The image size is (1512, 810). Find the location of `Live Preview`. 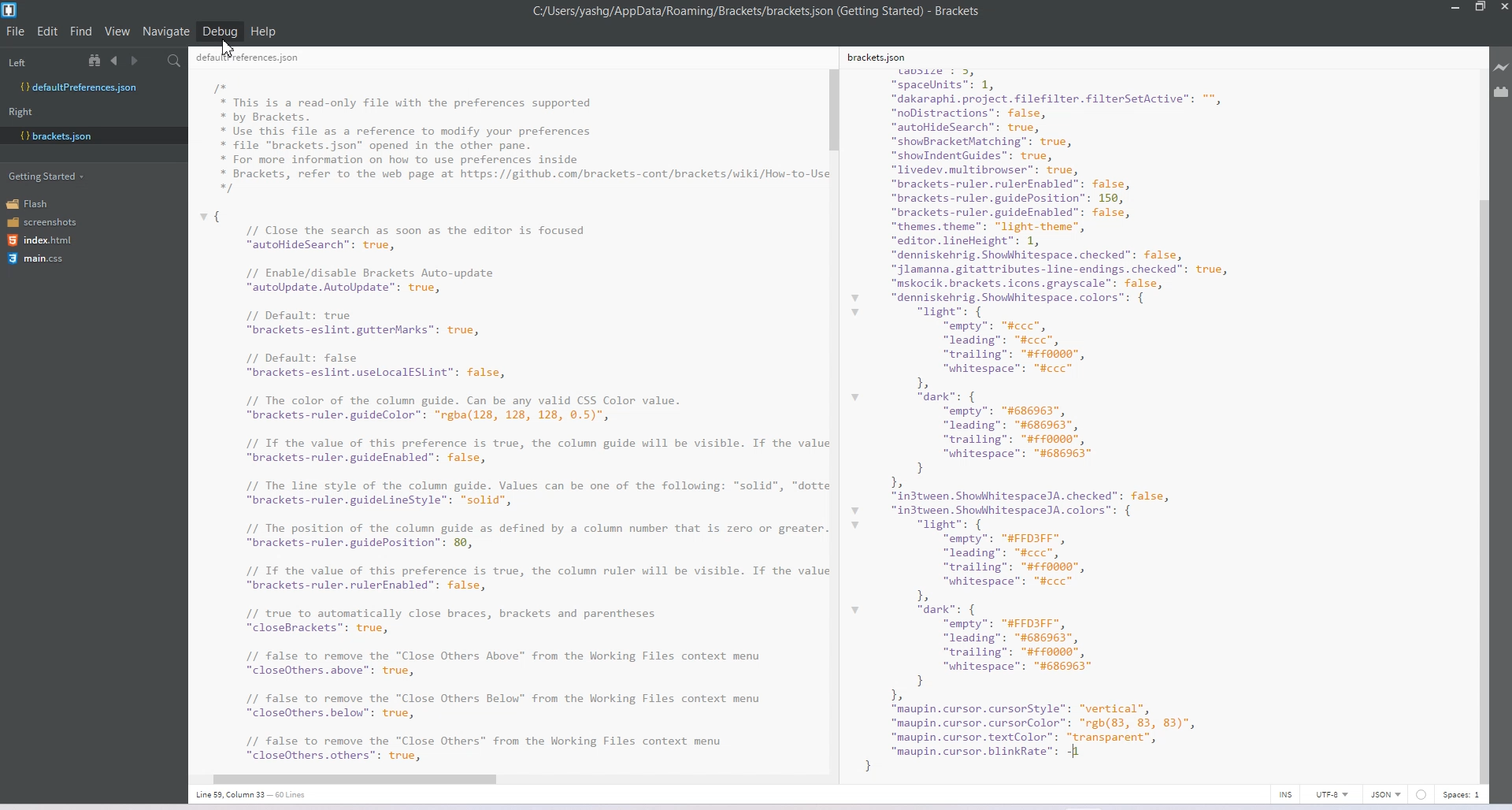

Live Preview is located at coordinates (1502, 68).